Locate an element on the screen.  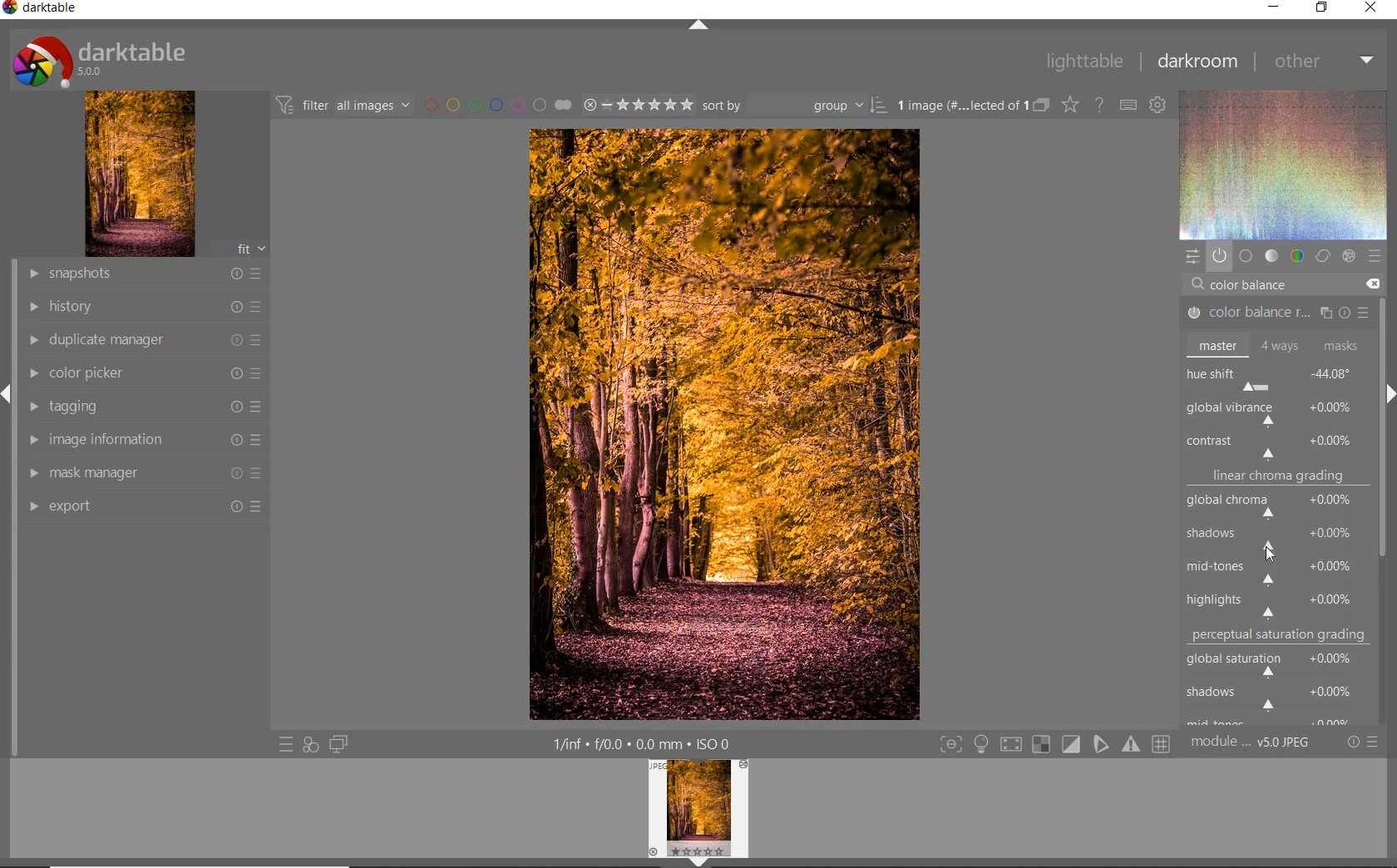
COLOR BALANCE RGB is located at coordinates (1273, 313).